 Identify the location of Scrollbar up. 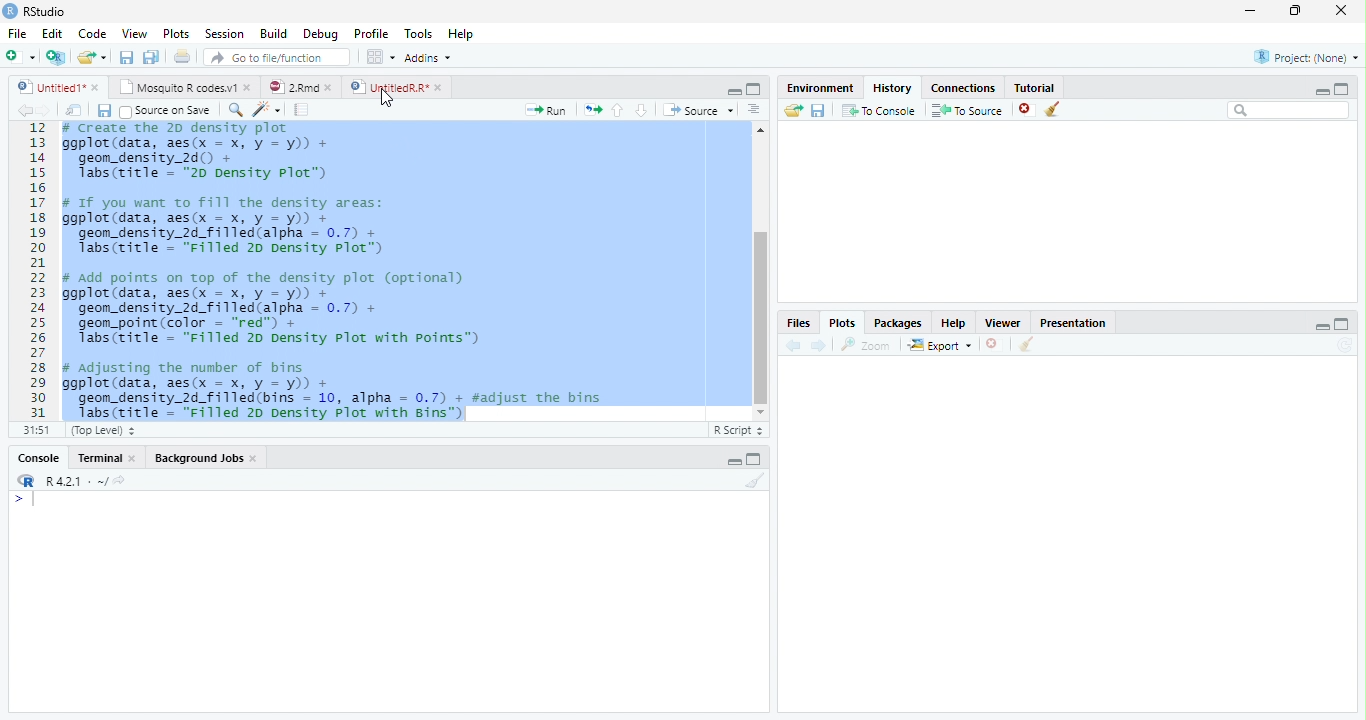
(758, 130).